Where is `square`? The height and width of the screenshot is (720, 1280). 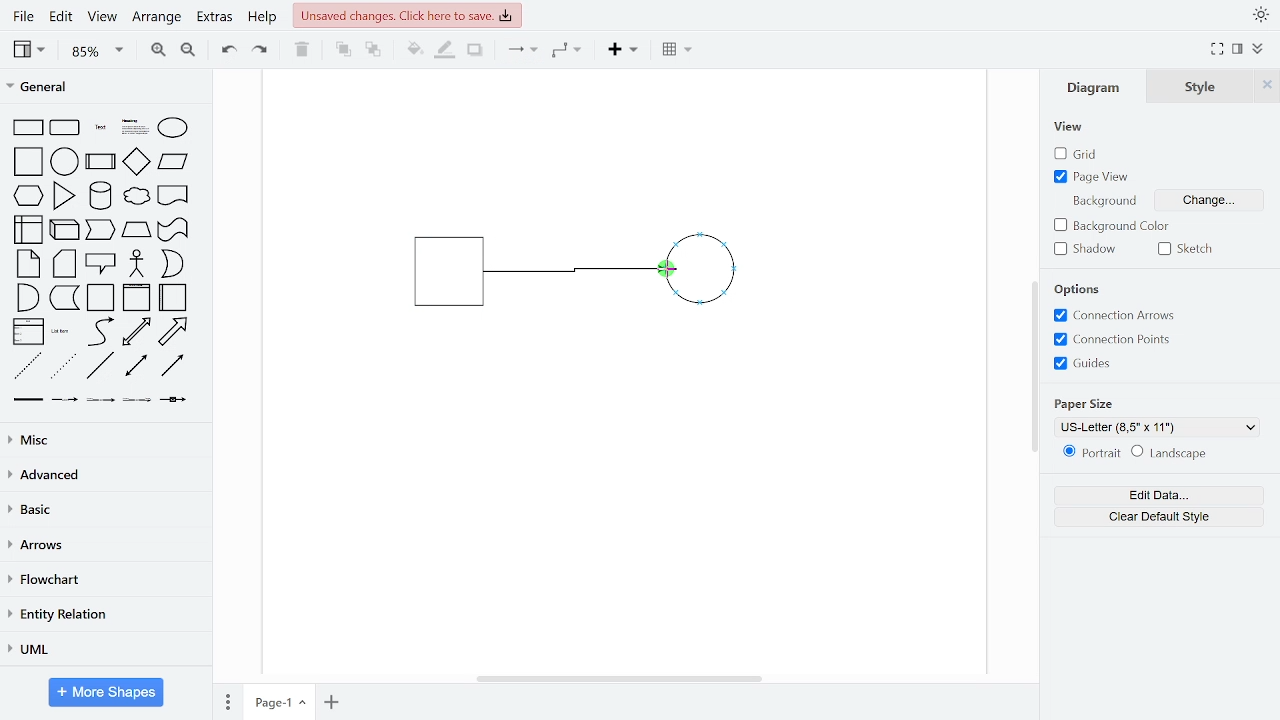 square is located at coordinates (30, 163).